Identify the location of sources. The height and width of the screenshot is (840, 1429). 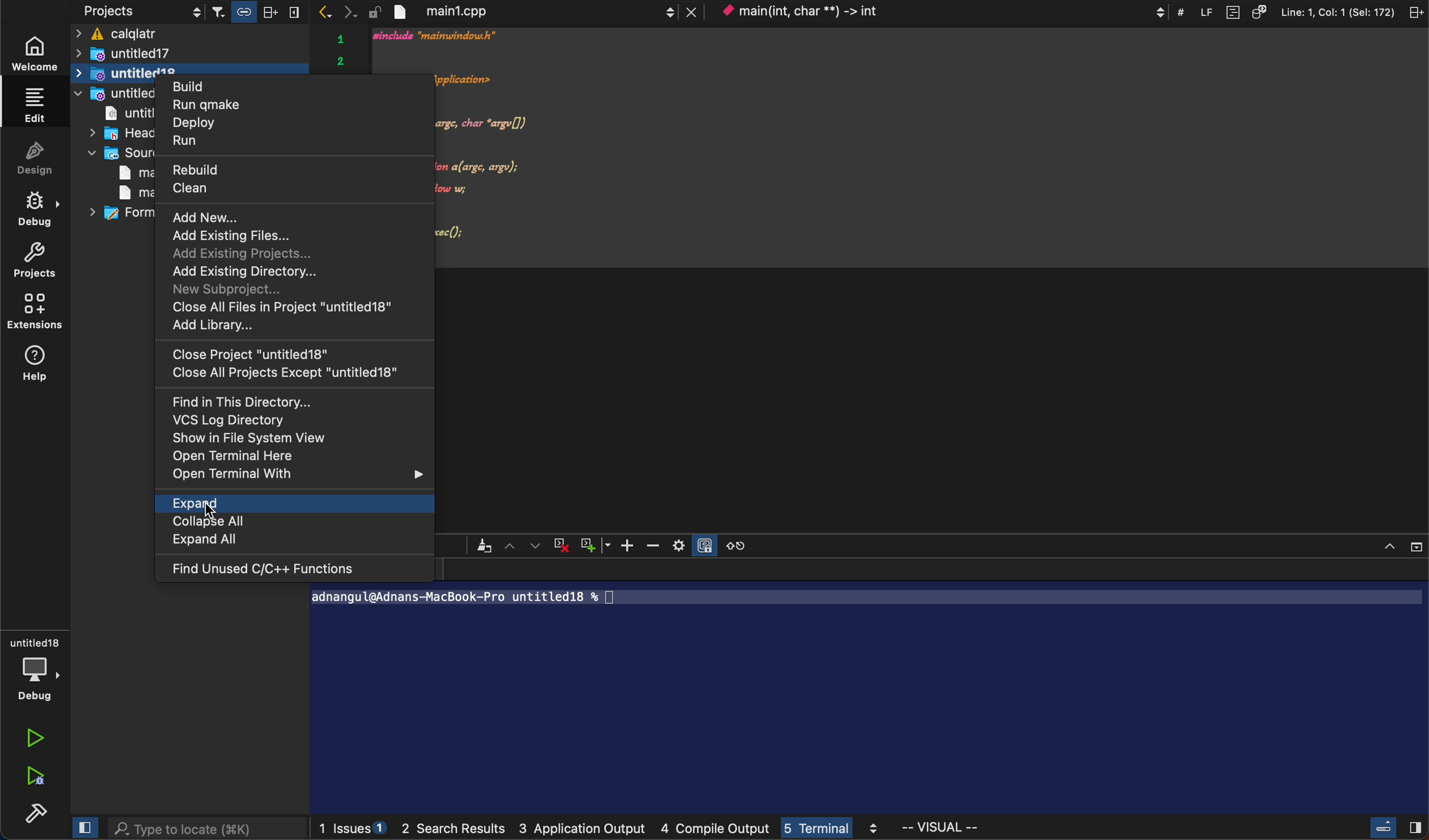
(122, 150).